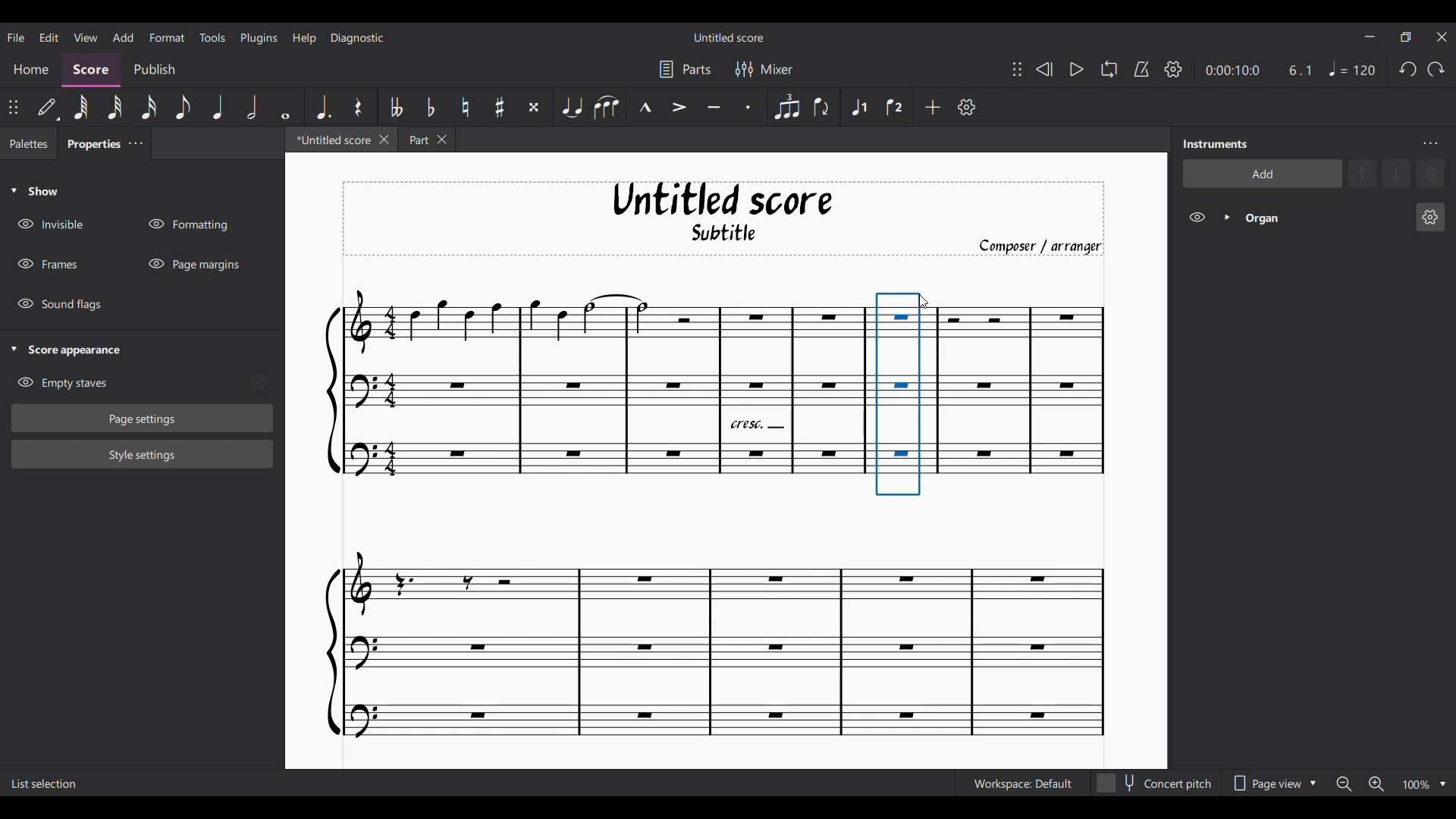 This screenshot has width=1456, height=819. I want to click on Minimize, so click(1370, 36).